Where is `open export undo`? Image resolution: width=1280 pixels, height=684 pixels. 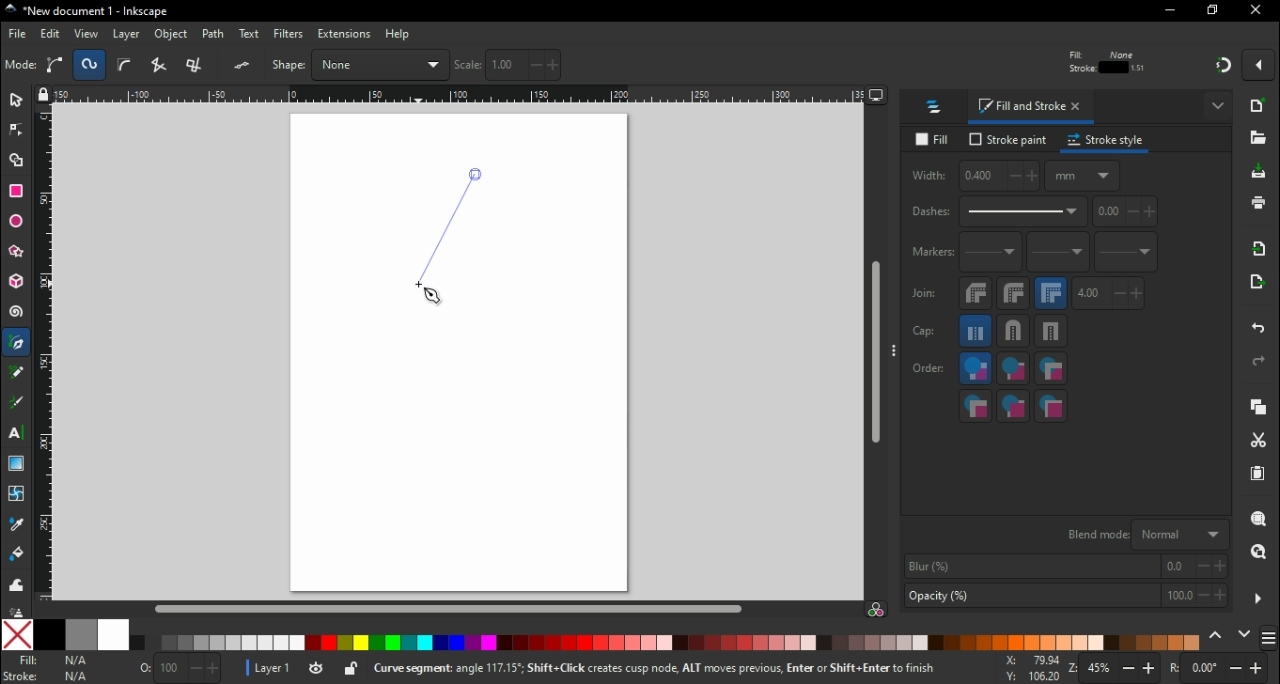 open export undo is located at coordinates (1258, 287).